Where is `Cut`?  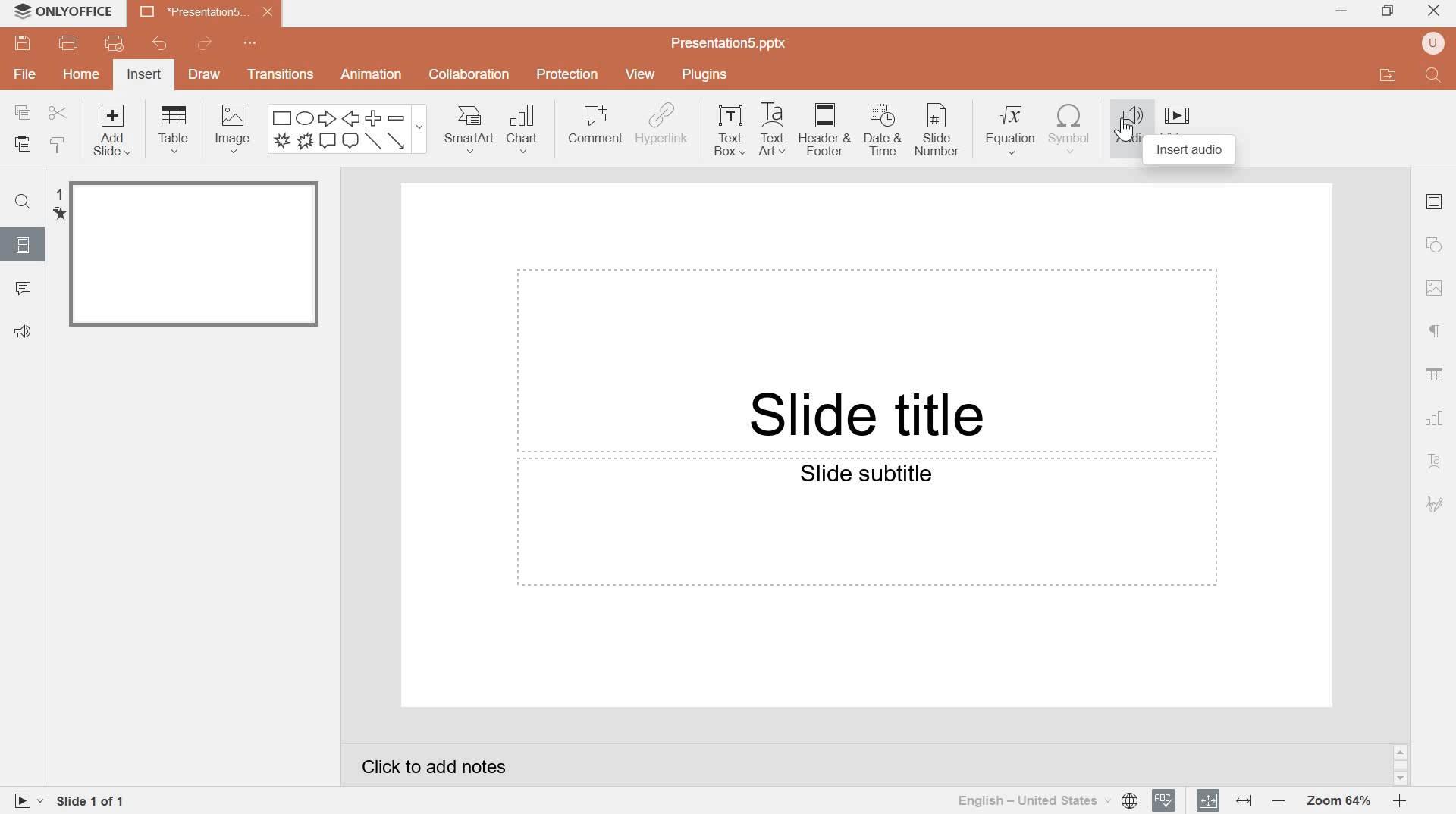
Cut is located at coordinates (57, 114).